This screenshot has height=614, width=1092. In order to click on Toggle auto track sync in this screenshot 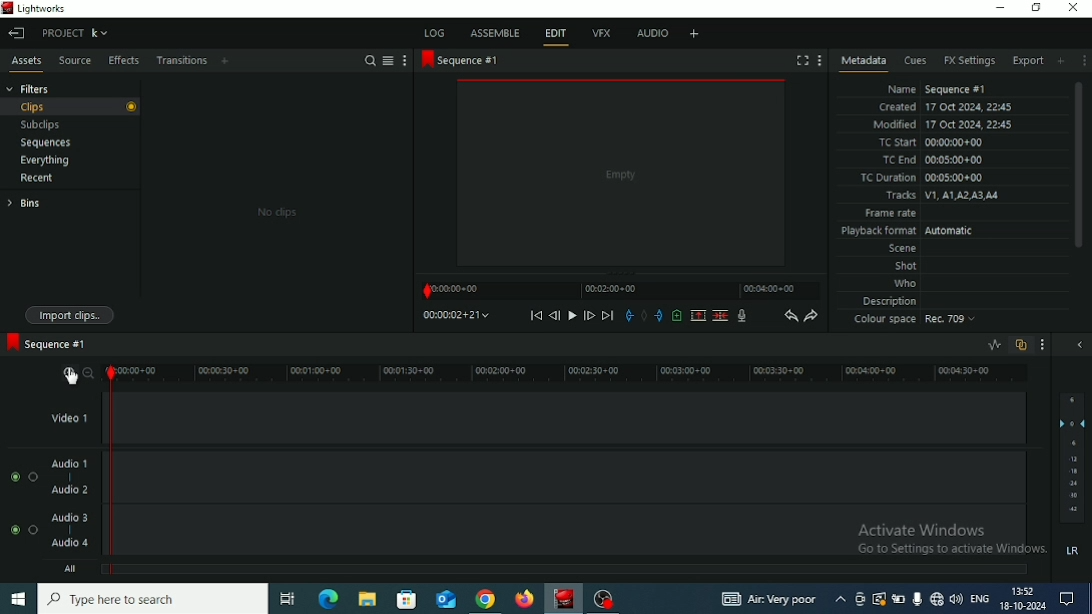, I will do `click(1021, 345)`.